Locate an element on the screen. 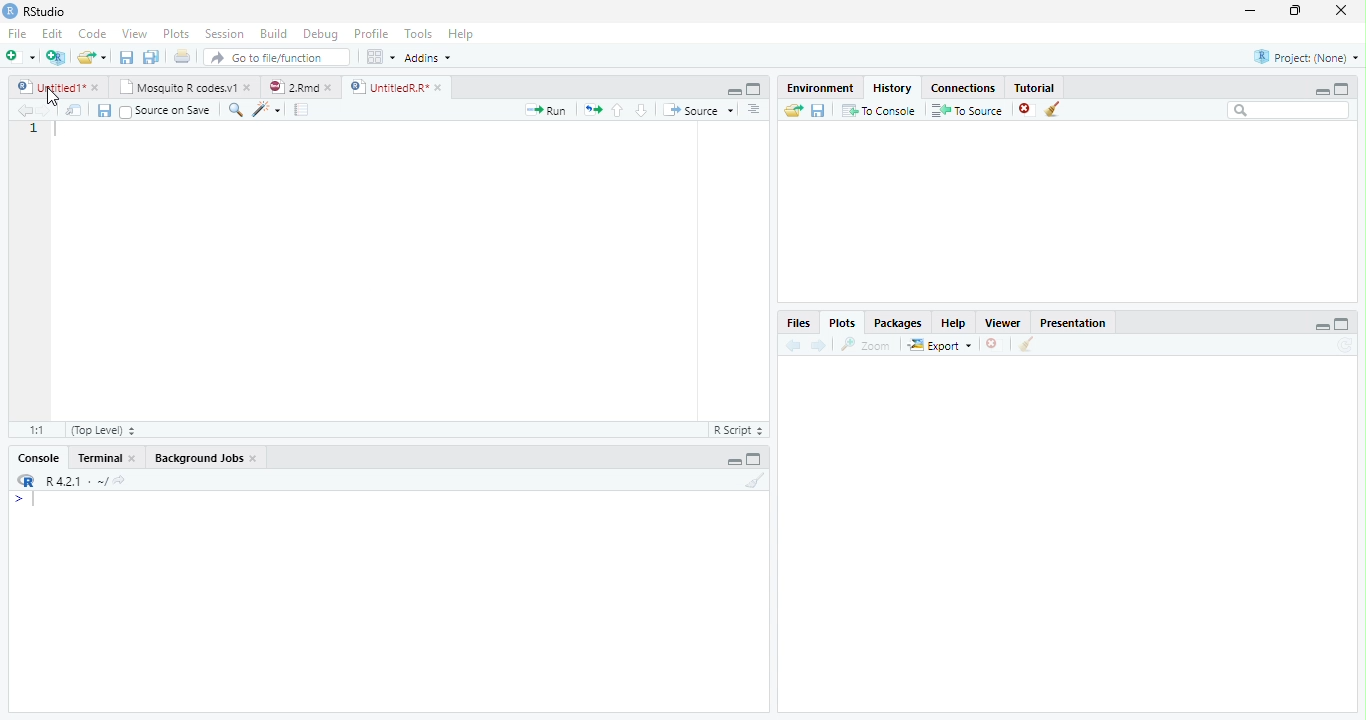 This screenshot has height=720, width=1366. Terminal is located at coordinates (99, 458).